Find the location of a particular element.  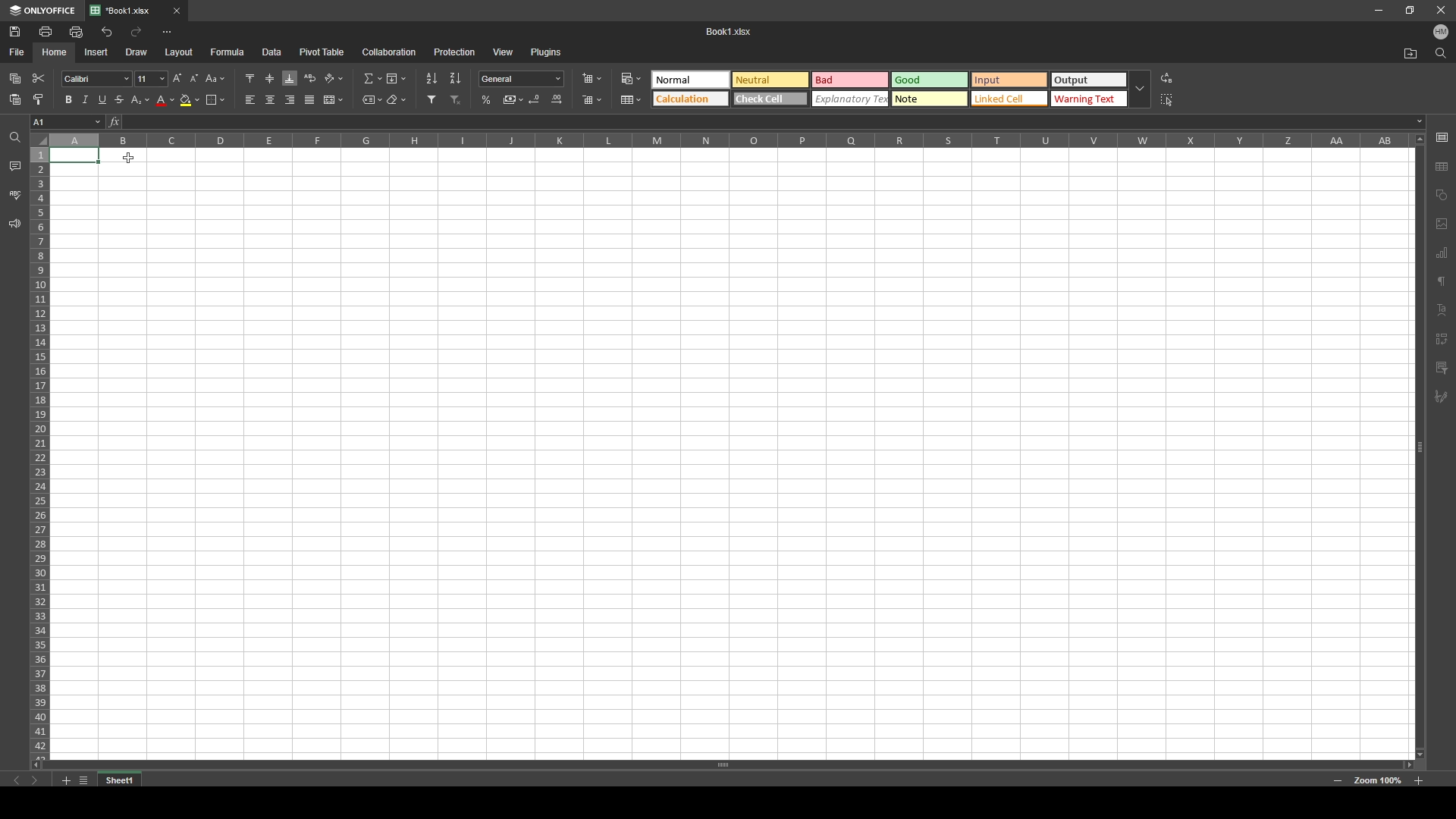

quick print is located at coordinates (77, 31).